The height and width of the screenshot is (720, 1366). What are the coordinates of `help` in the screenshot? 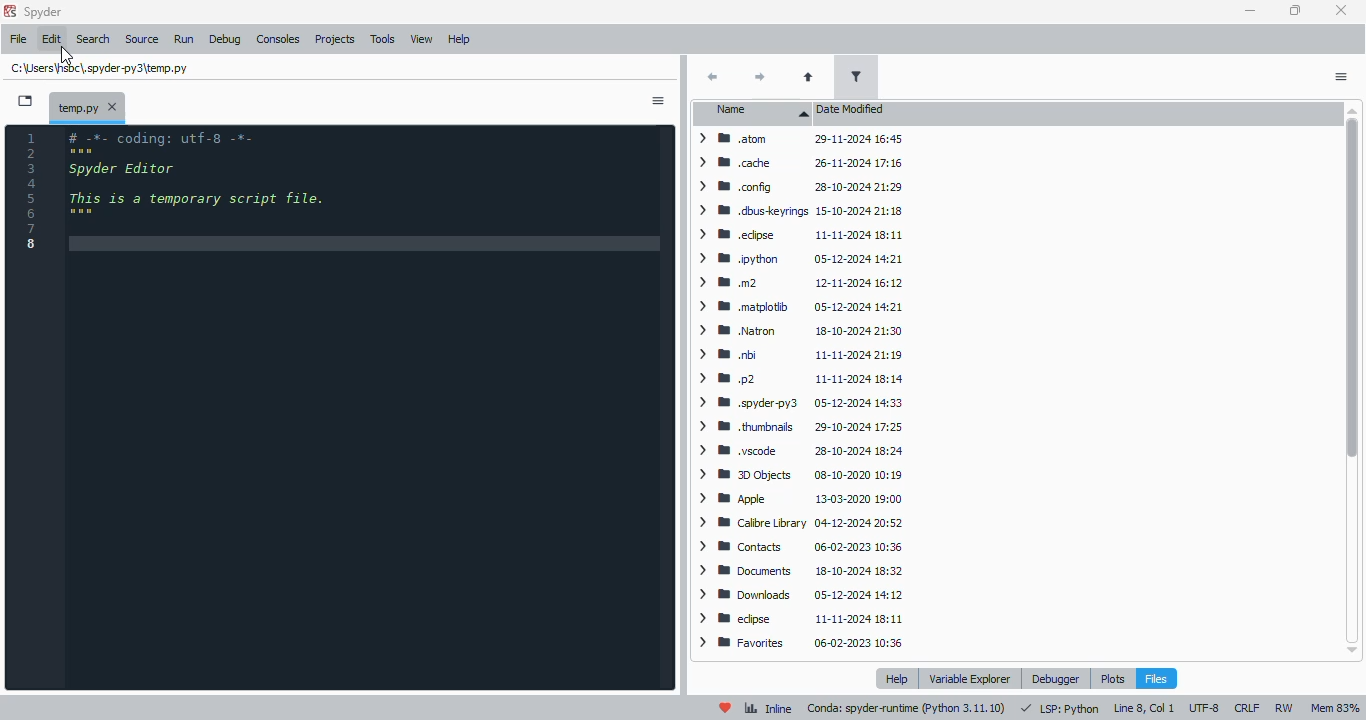 It's located at (460, 39).